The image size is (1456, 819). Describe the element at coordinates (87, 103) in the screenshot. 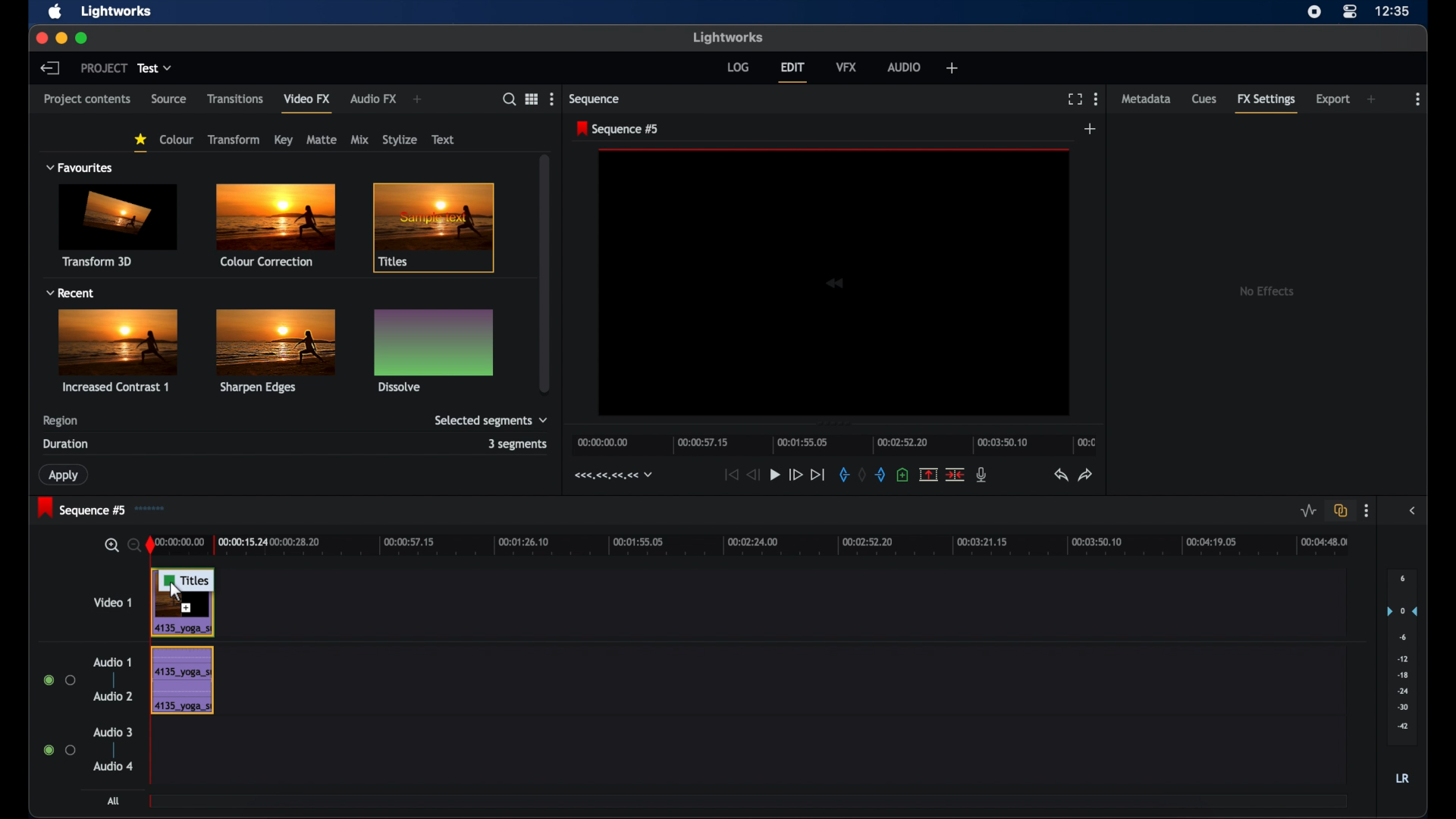

I see `project contents` at that location.